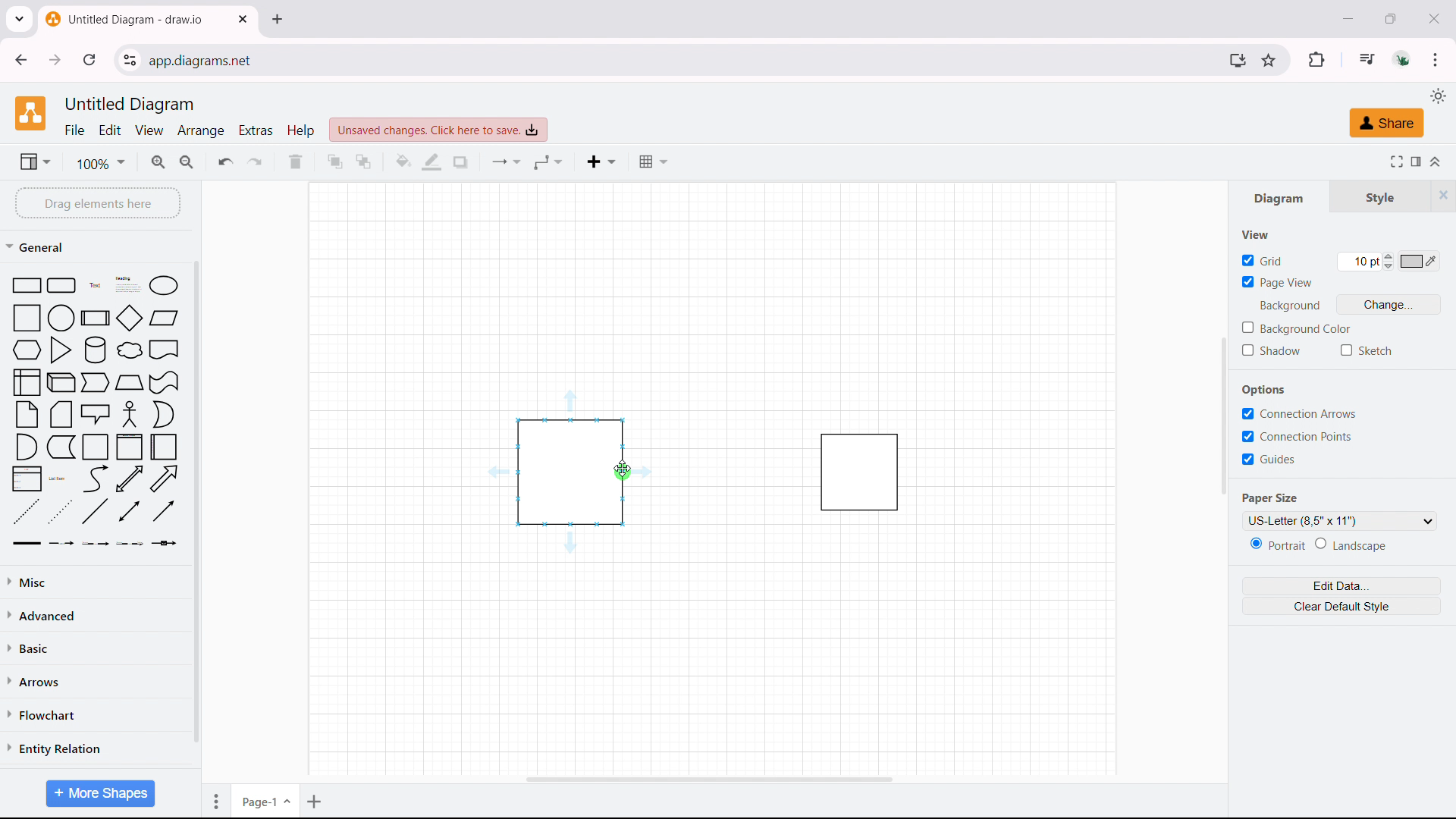 This screenshot has height=819, width=1456. Describe the element at coordinates (95, 714) in the screenshot. I see `flowchart` at that location.